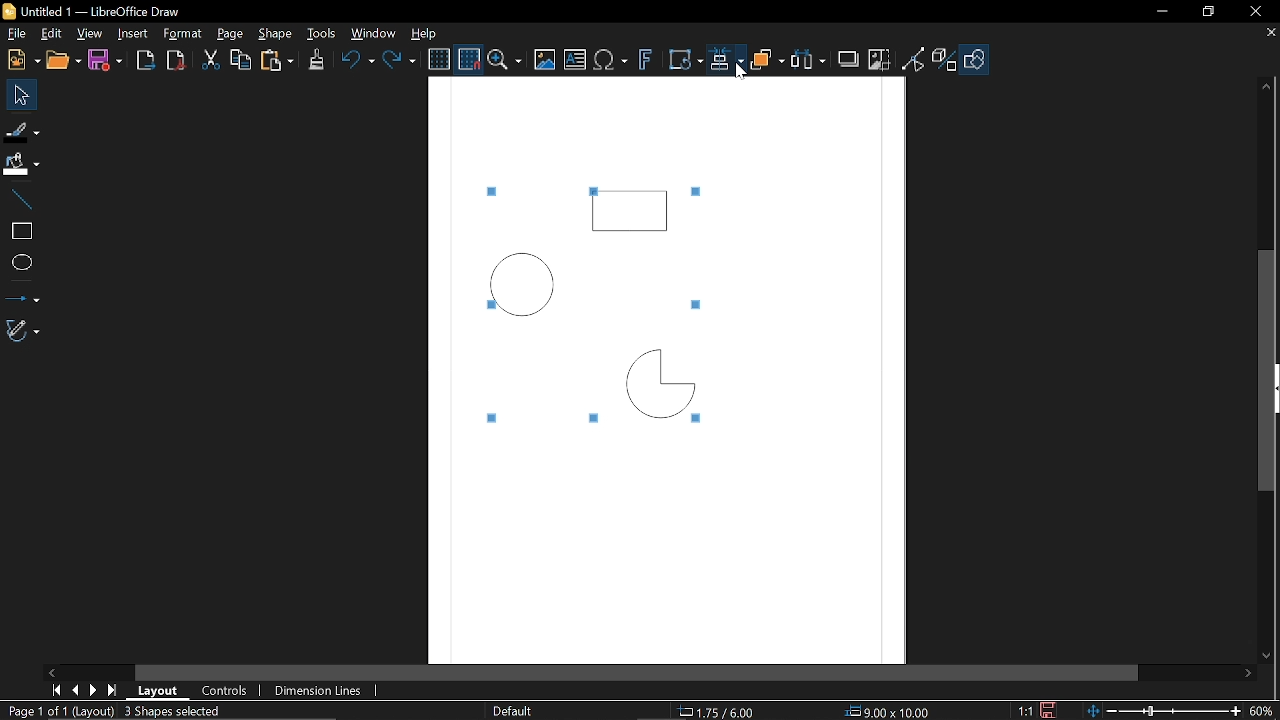 This screenshot has width=1280, height=720. What do you see at coordinates (1269, 656) in the screenshot?
I see `Move down` at bounding box center [1269, 656].